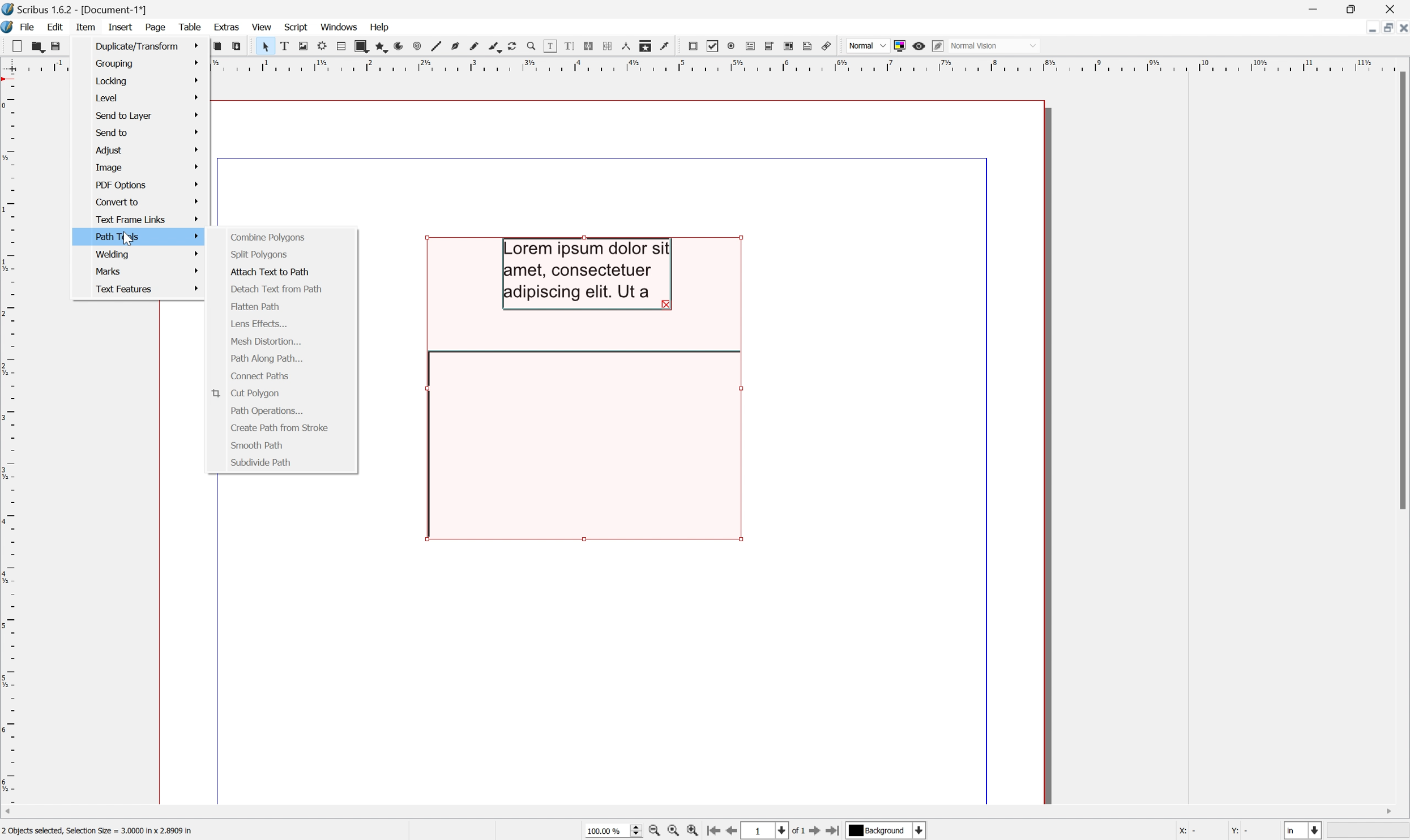  Describe the element at coordinates (262, 462) in the screenshot. I see `Subdivide path` at that location.